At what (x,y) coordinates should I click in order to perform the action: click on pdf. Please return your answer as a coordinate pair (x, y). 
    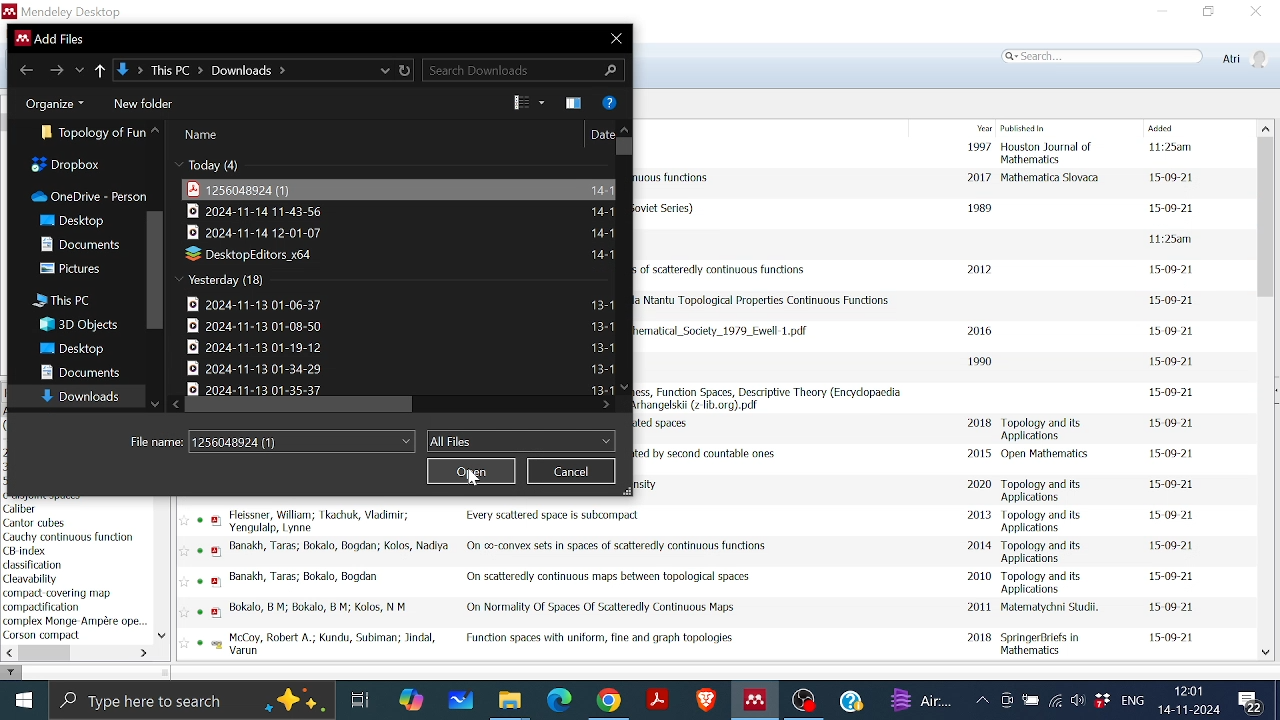
    Looking at the image, I should click on (220, 553).